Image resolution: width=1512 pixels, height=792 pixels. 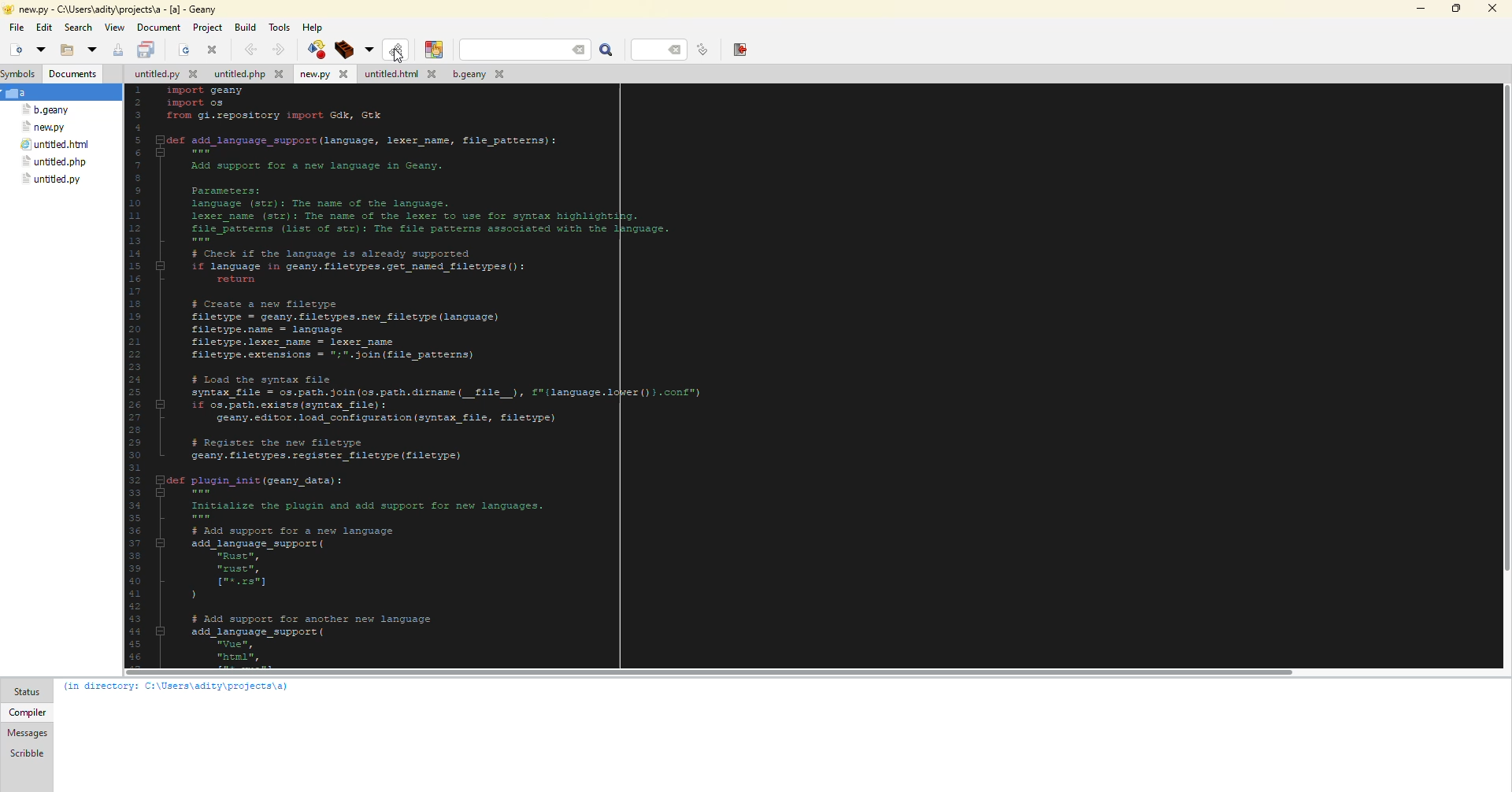 What do you see at coordinates (64, 51) in the screenshot?
I see `open` at bounding box center [64, 51].